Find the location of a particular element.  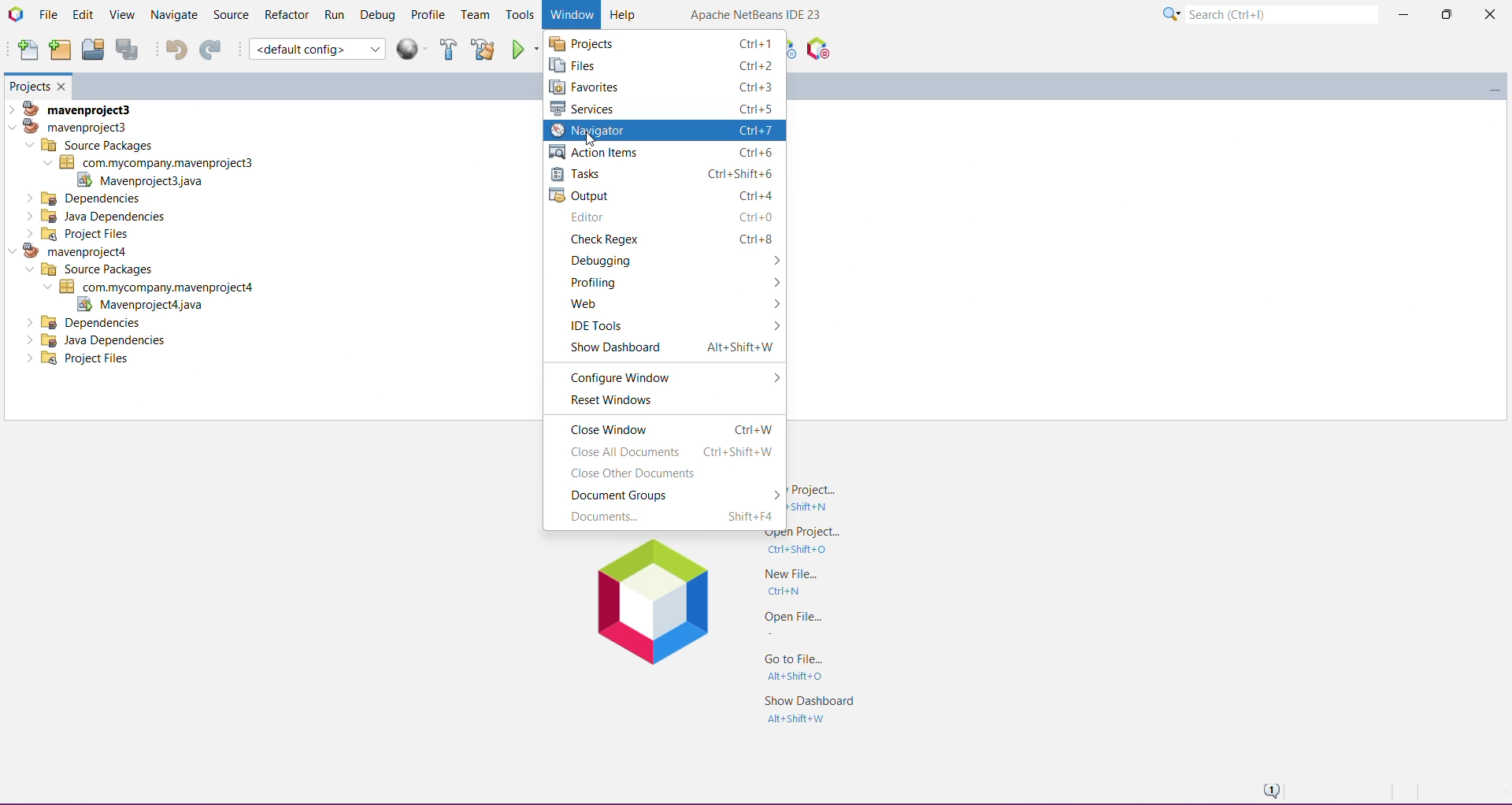

Click to open Navigator Window is located at coordinates (664, 131).